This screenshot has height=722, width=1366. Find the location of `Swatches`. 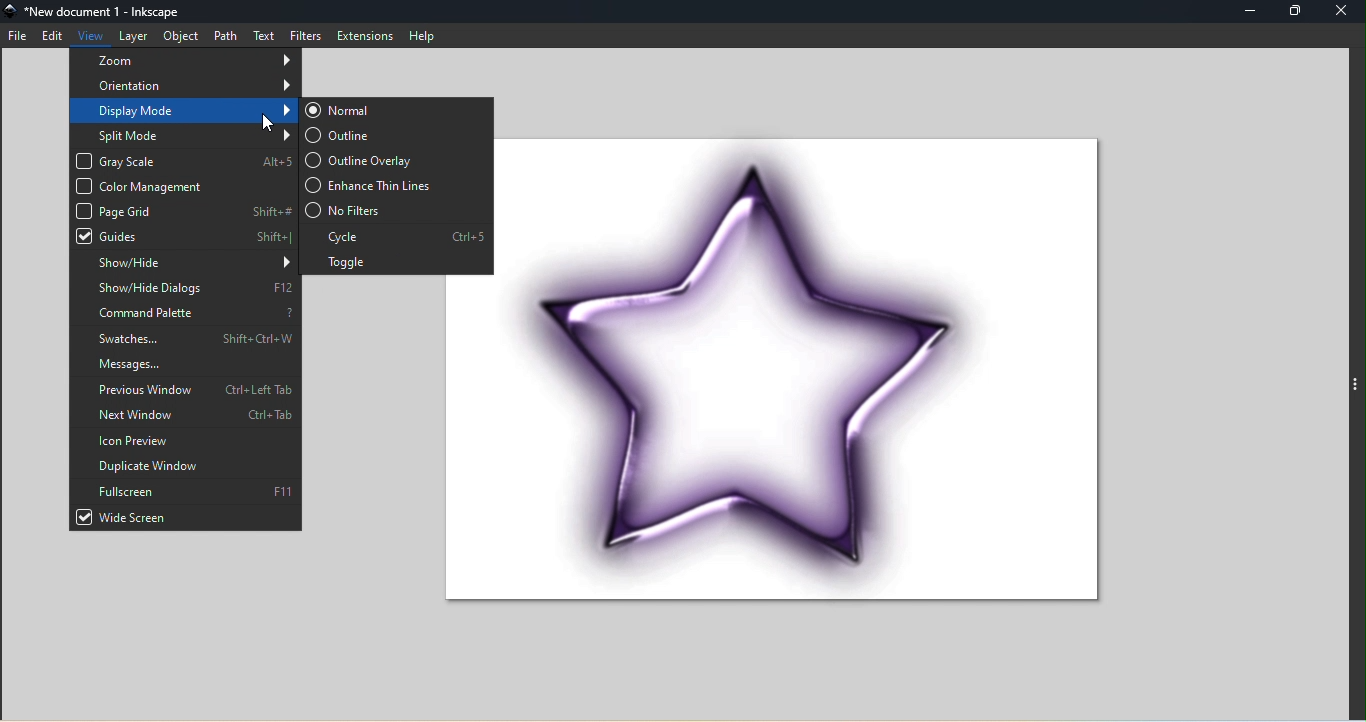

Swatches is located at coordinates (186, 337).